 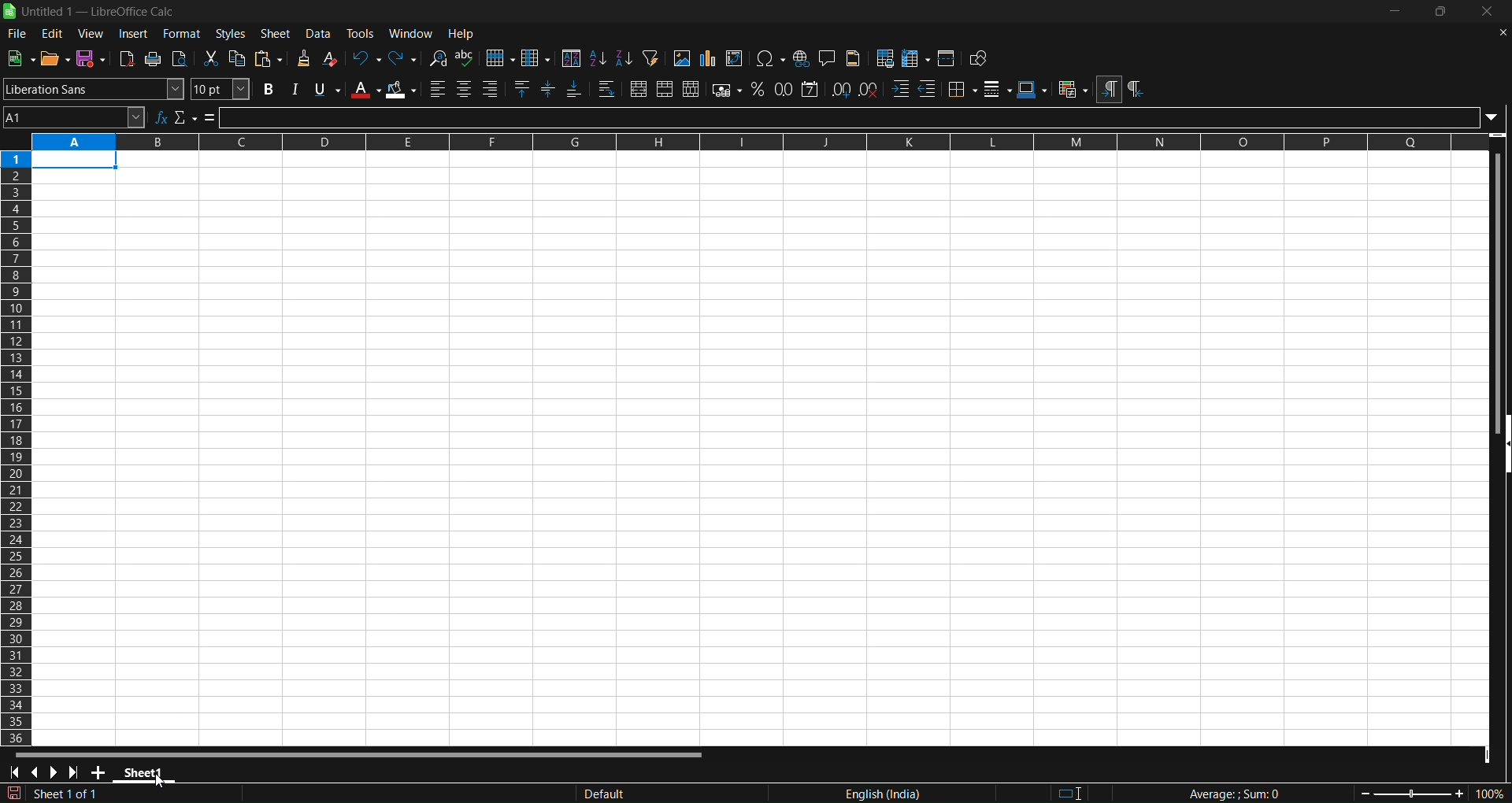 I want to click on font color, so click(x=365, y=89).